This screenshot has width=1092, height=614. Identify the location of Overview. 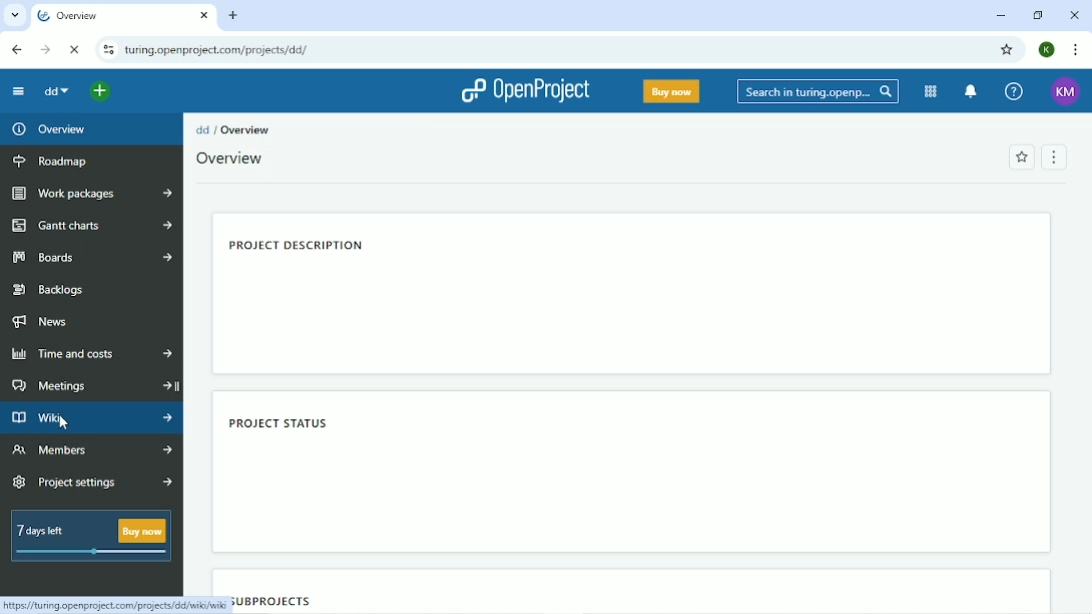
(230, 160).